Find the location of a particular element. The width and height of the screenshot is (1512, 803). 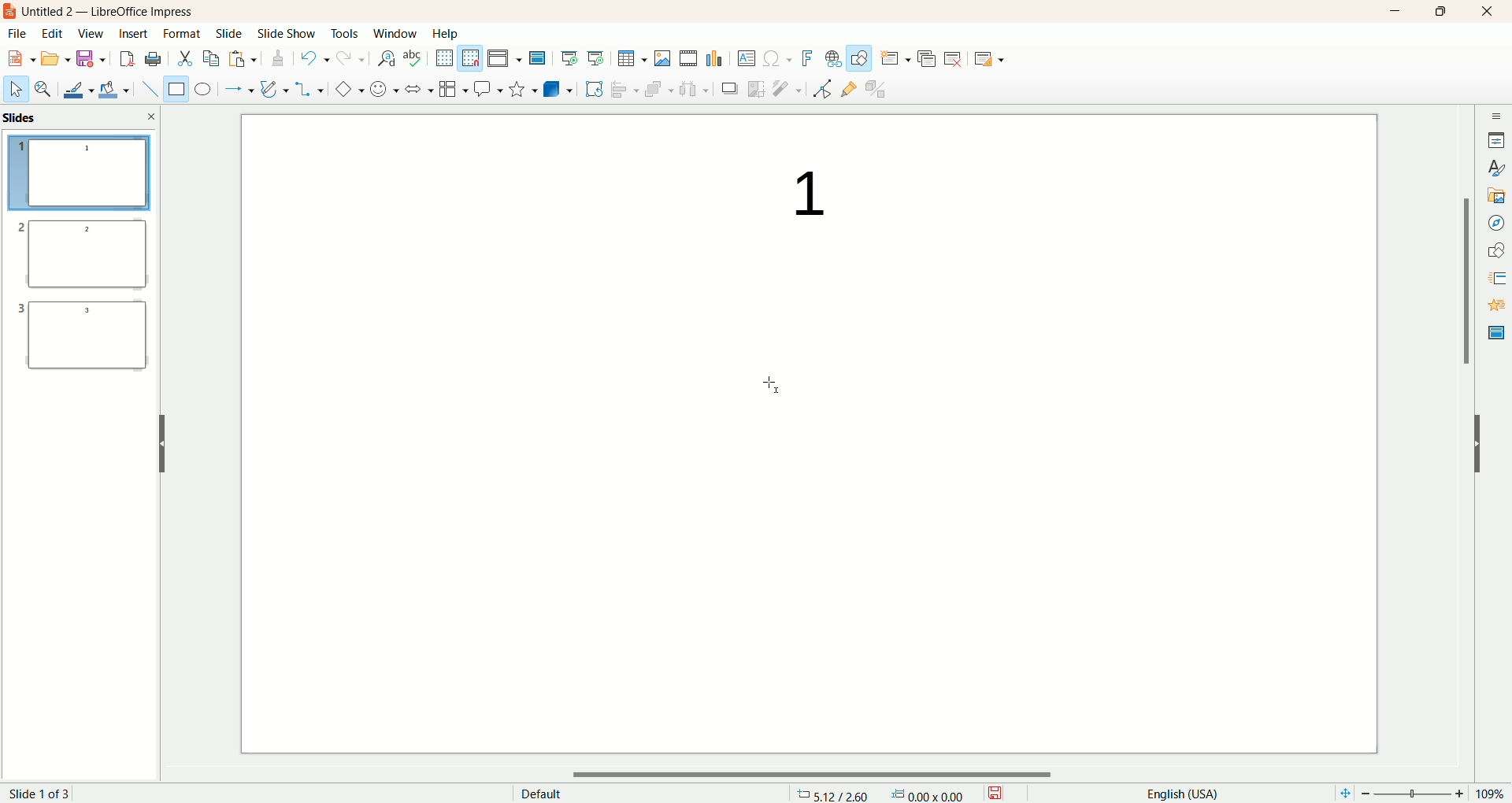

snap to grid is located at coordinates (472, 58).